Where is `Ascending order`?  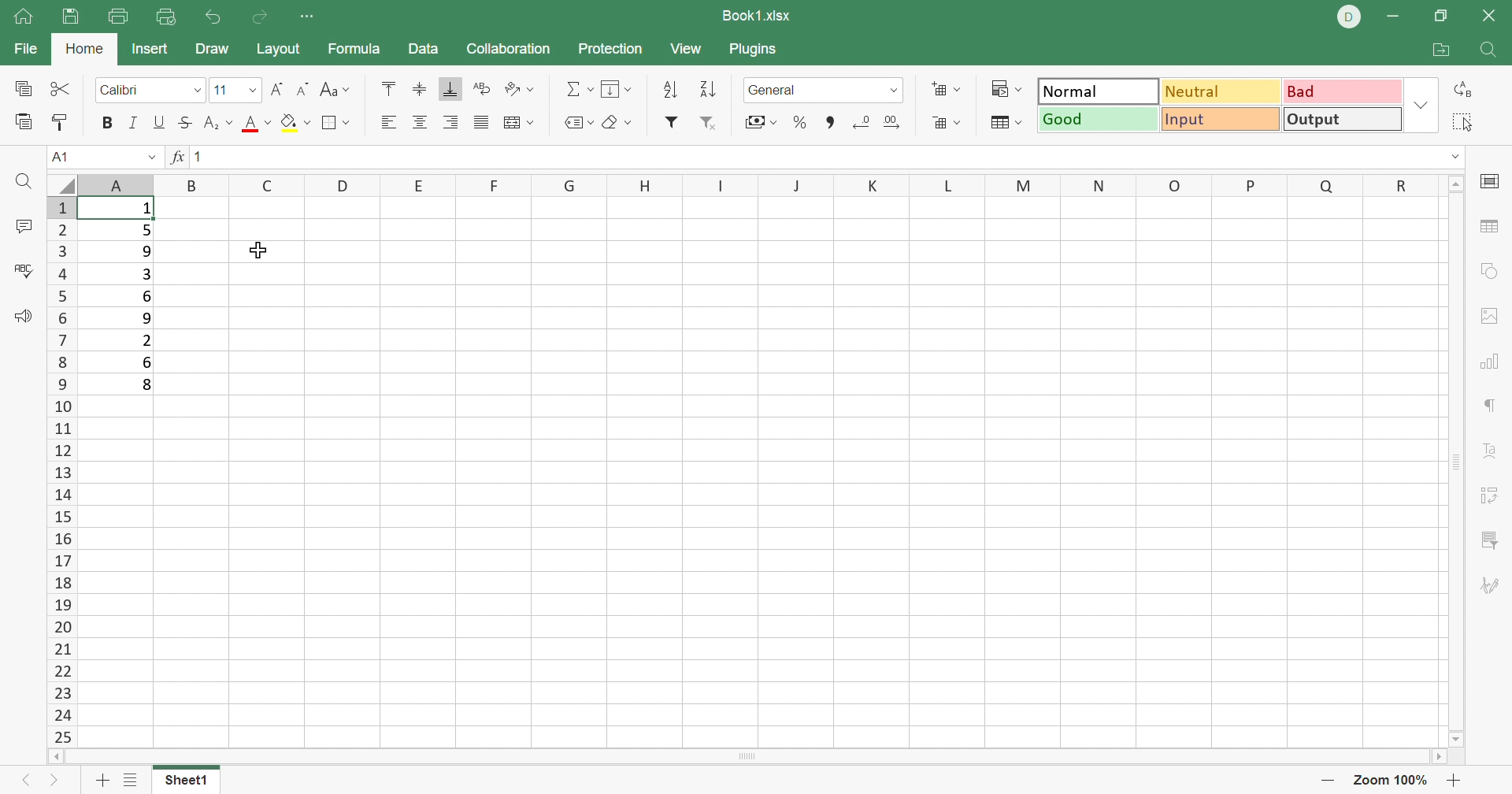
Ascending order is located at coordinates (670, 91).